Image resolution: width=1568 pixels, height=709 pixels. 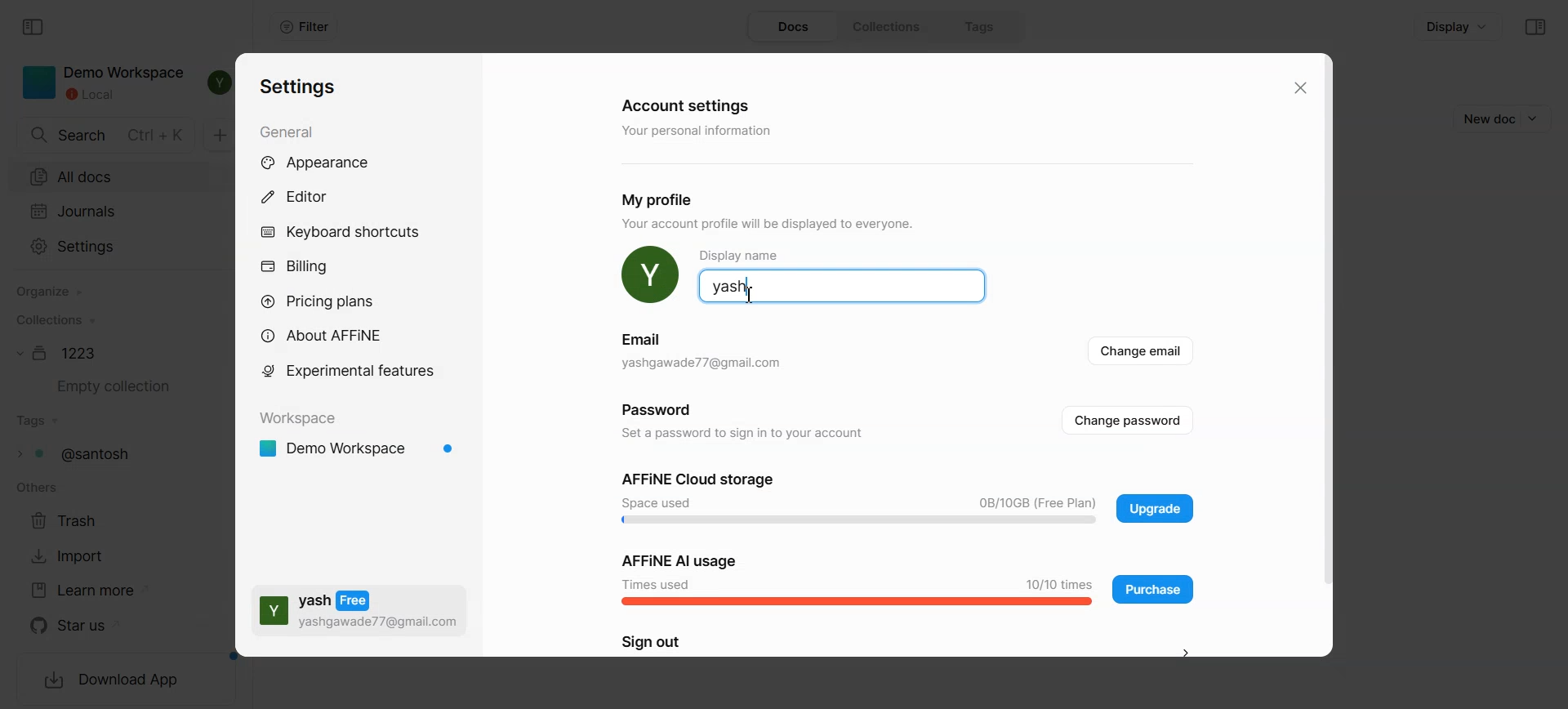 What do you see at coordinates (299, 87) in the screenshot?
I see `Settings` at bounding box center [299, 87].